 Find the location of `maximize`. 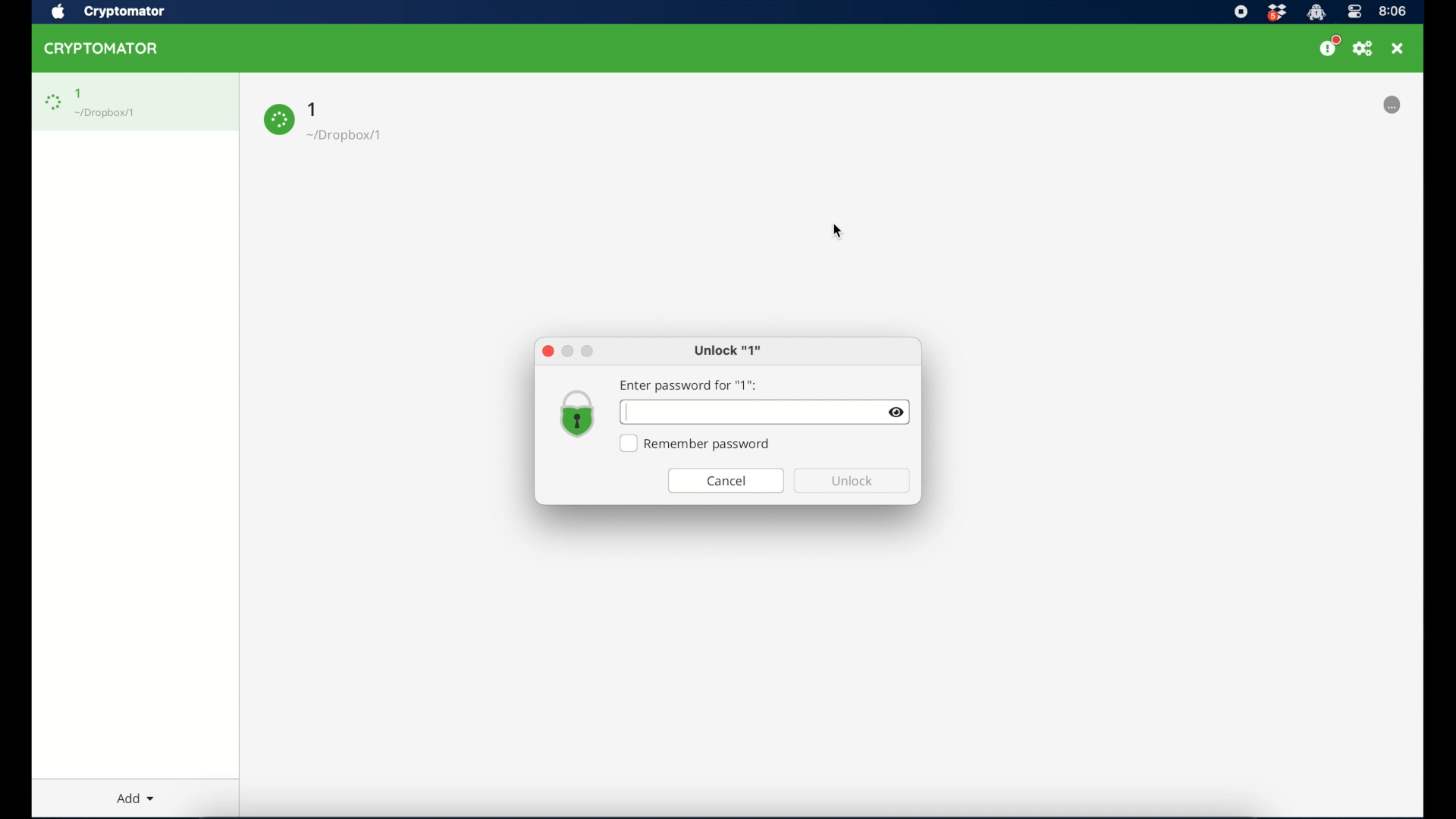

maximize is located at coordinates (588, 352).